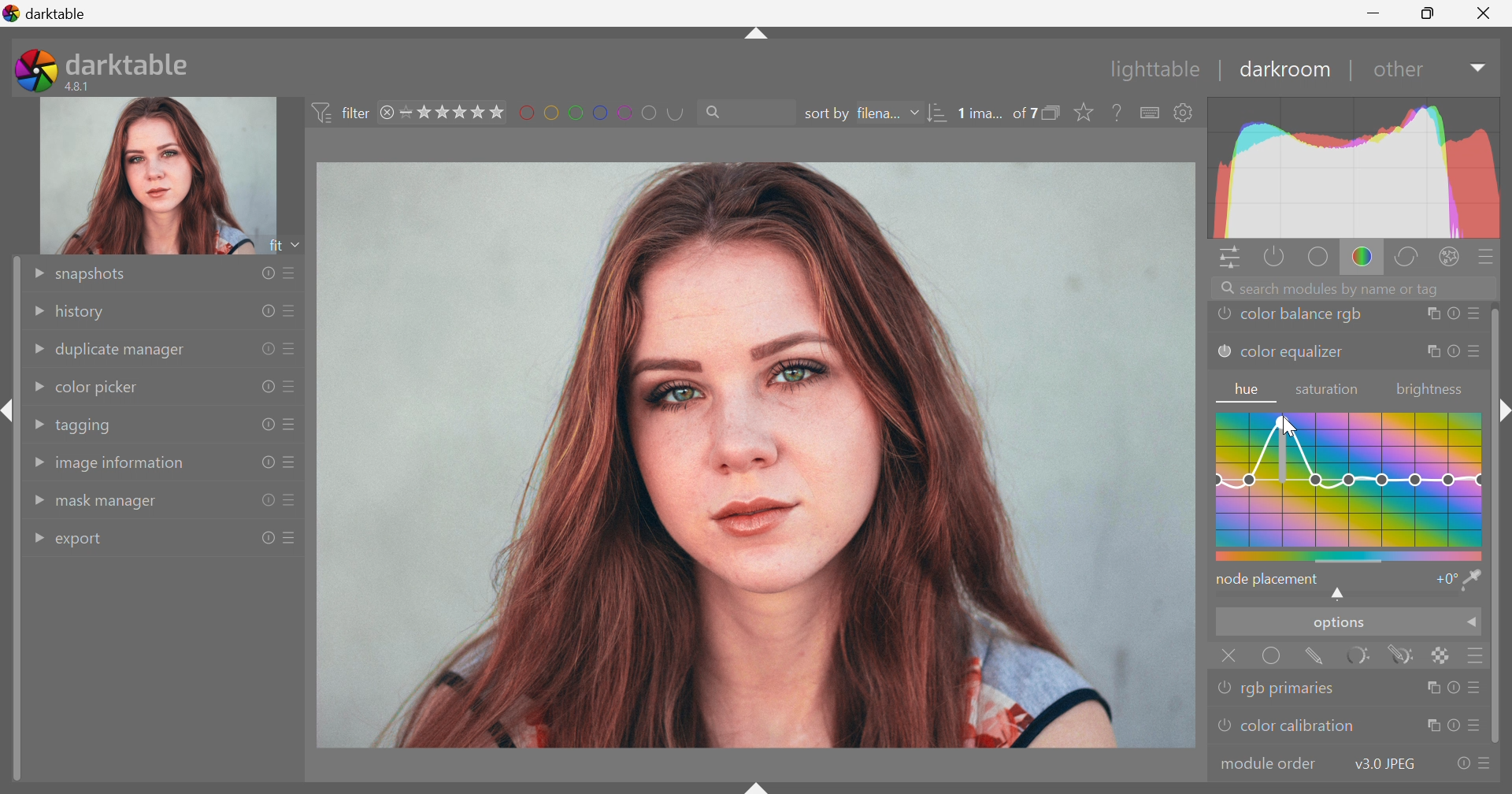 This screenshot has height=794, width=1512. What do you see at coordinates (1504, 411) in the screenshot?
I see `Collapse ` at bounding box center [1504, 411].